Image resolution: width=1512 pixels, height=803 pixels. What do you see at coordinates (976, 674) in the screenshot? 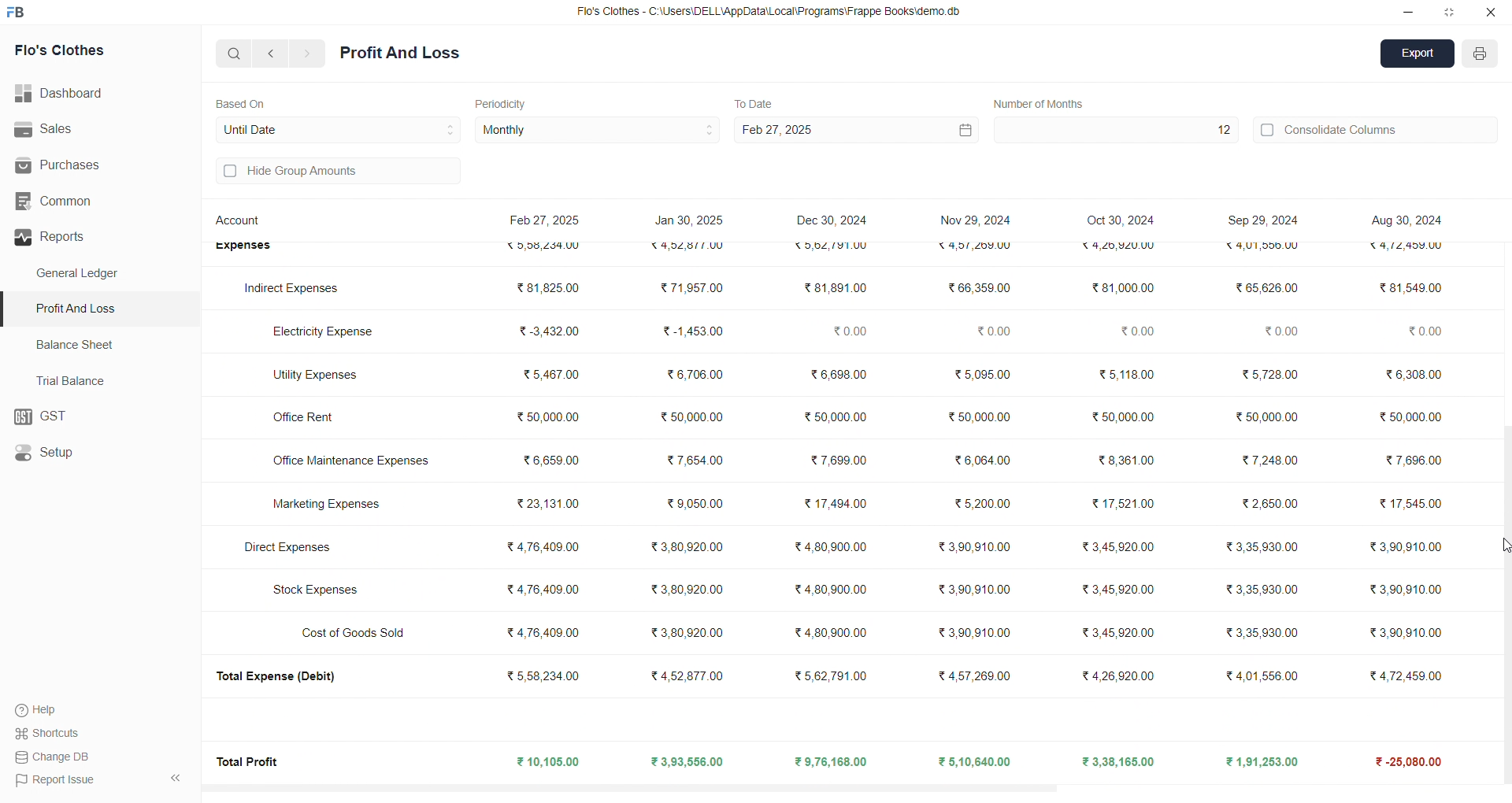
I see `₹4,57,269.00` at bounding box center [976, 674].